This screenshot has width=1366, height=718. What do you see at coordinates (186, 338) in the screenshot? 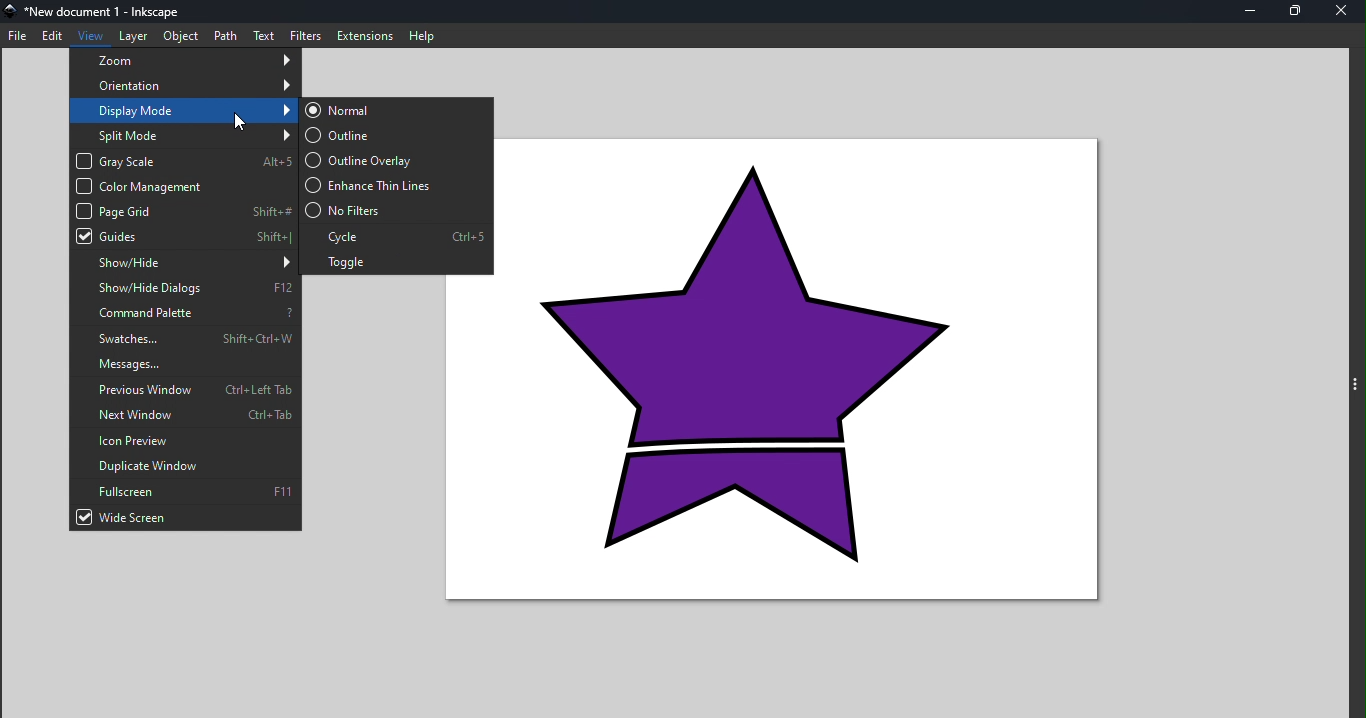
I see `Swatches` at bounding box center [186, 338].